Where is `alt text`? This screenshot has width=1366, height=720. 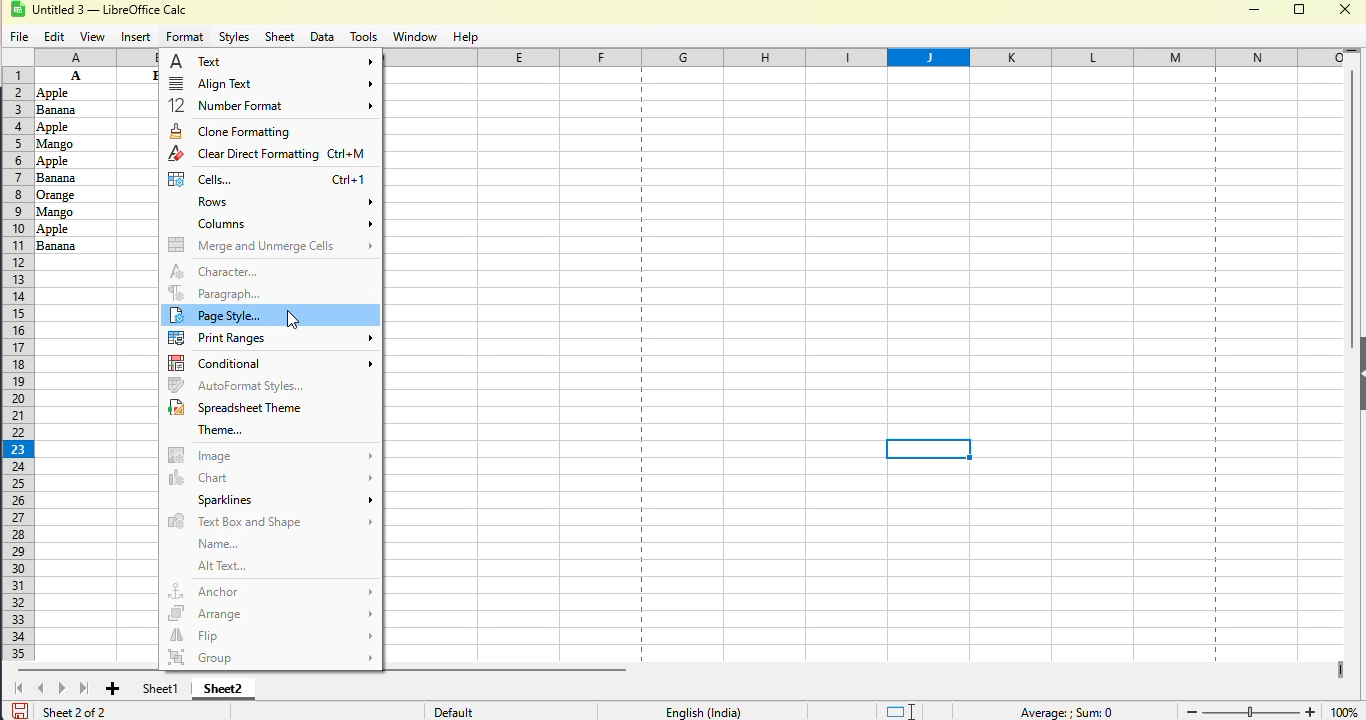
alt text is located at coordinates (222, 566).